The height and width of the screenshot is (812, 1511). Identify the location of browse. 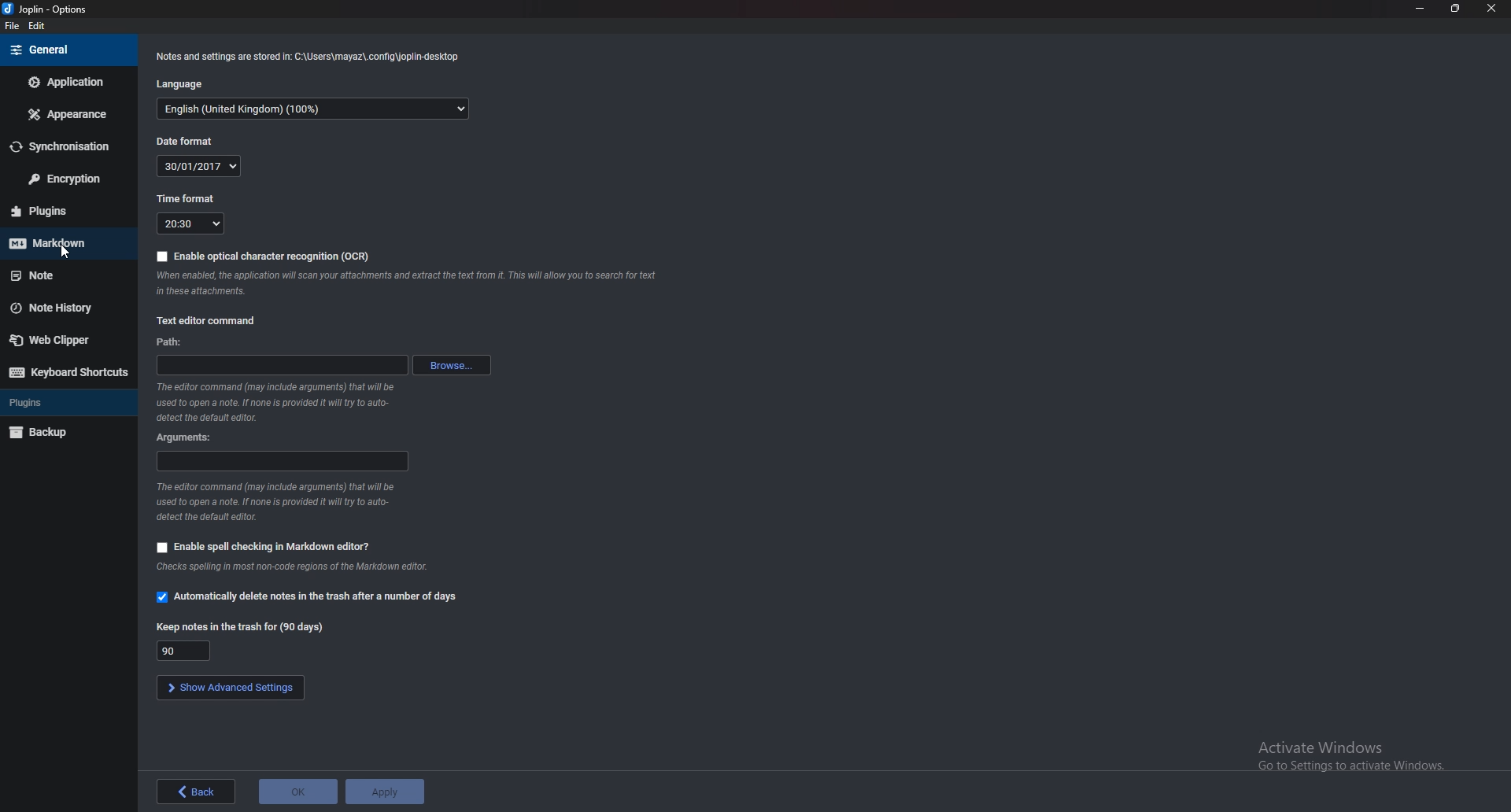
(458, 365).